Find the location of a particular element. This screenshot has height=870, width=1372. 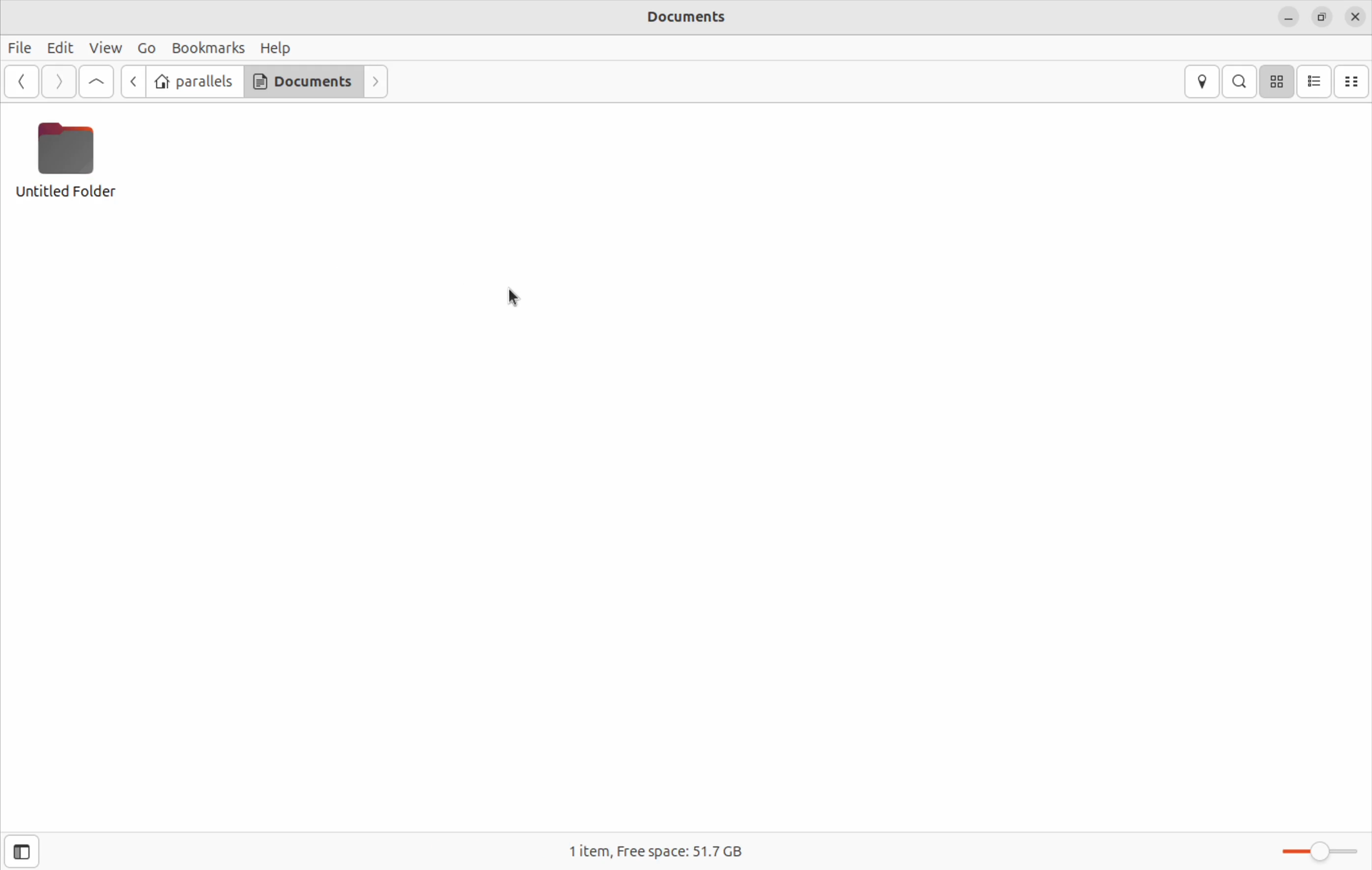

Back is located at coordinates (22, 82).